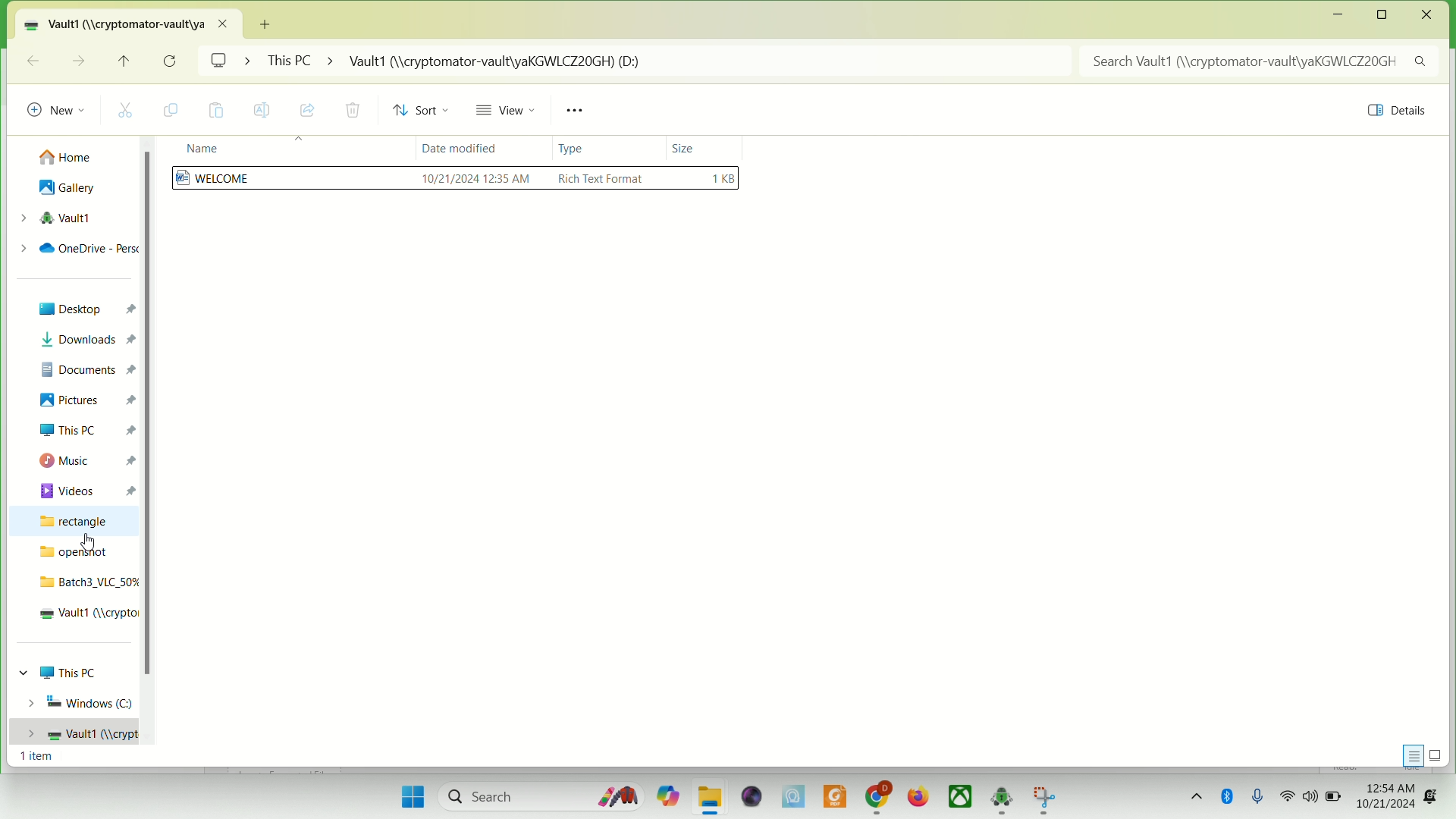  Describe the element at coordinates (833, 795) in the screenshot. I see `PDF` at that location.